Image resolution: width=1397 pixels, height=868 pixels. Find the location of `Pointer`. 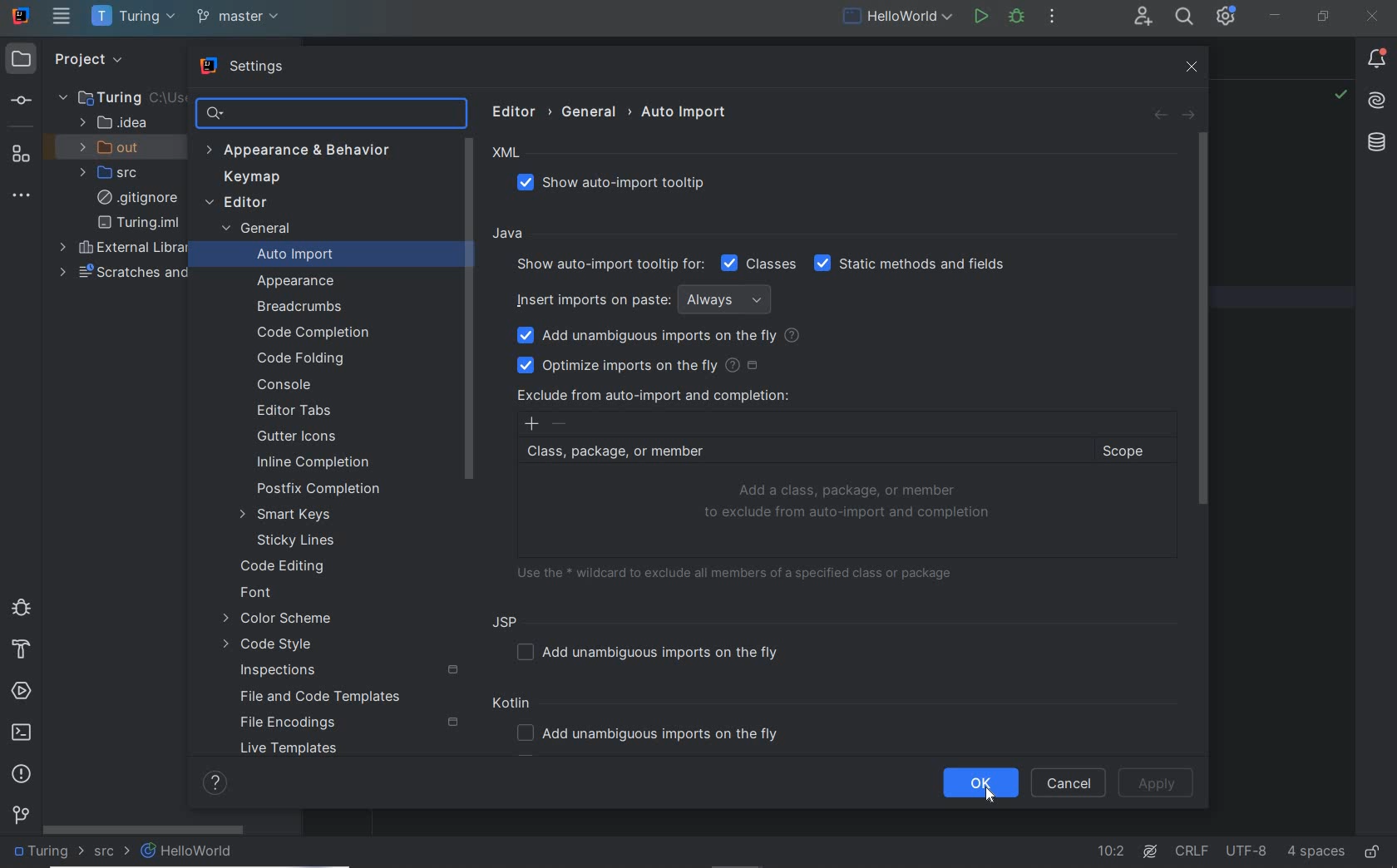

Pointer is located at coordinates (993, 804).